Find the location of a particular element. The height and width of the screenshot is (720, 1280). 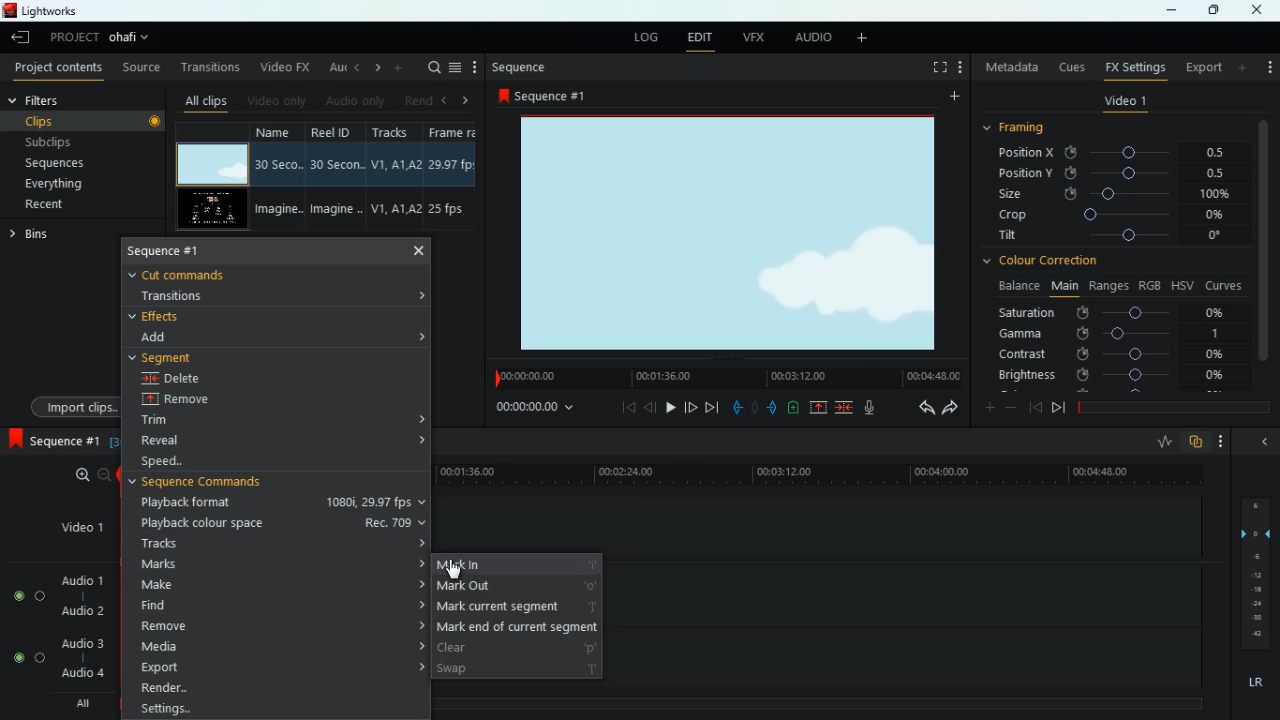

back is located at coordinates (650, 407).